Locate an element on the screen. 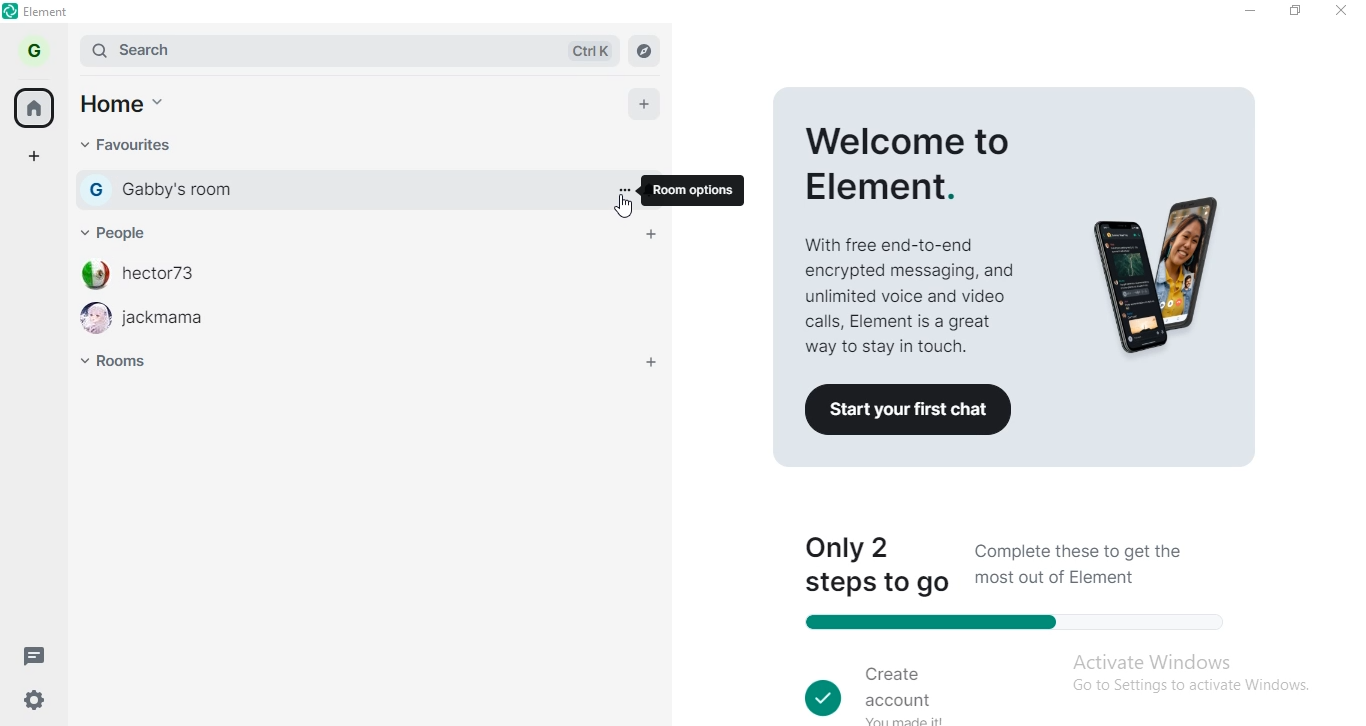 This screenshot has width=1366, height=726. search is located at coordinates (262, 49).